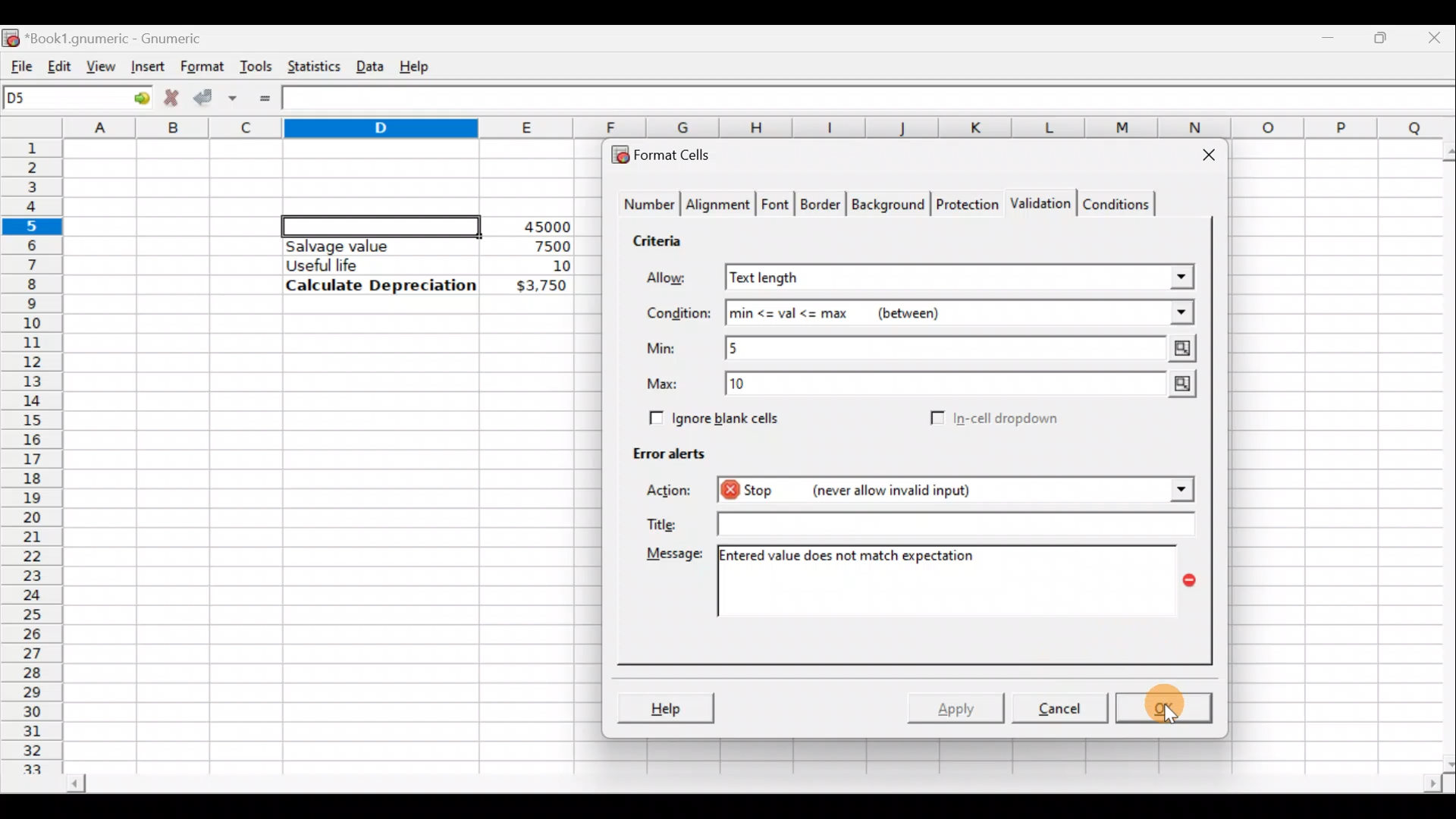  What do you see at coordinates (369, 63) in the screenshot?
I see `Data` at bounding box center [369, 63].